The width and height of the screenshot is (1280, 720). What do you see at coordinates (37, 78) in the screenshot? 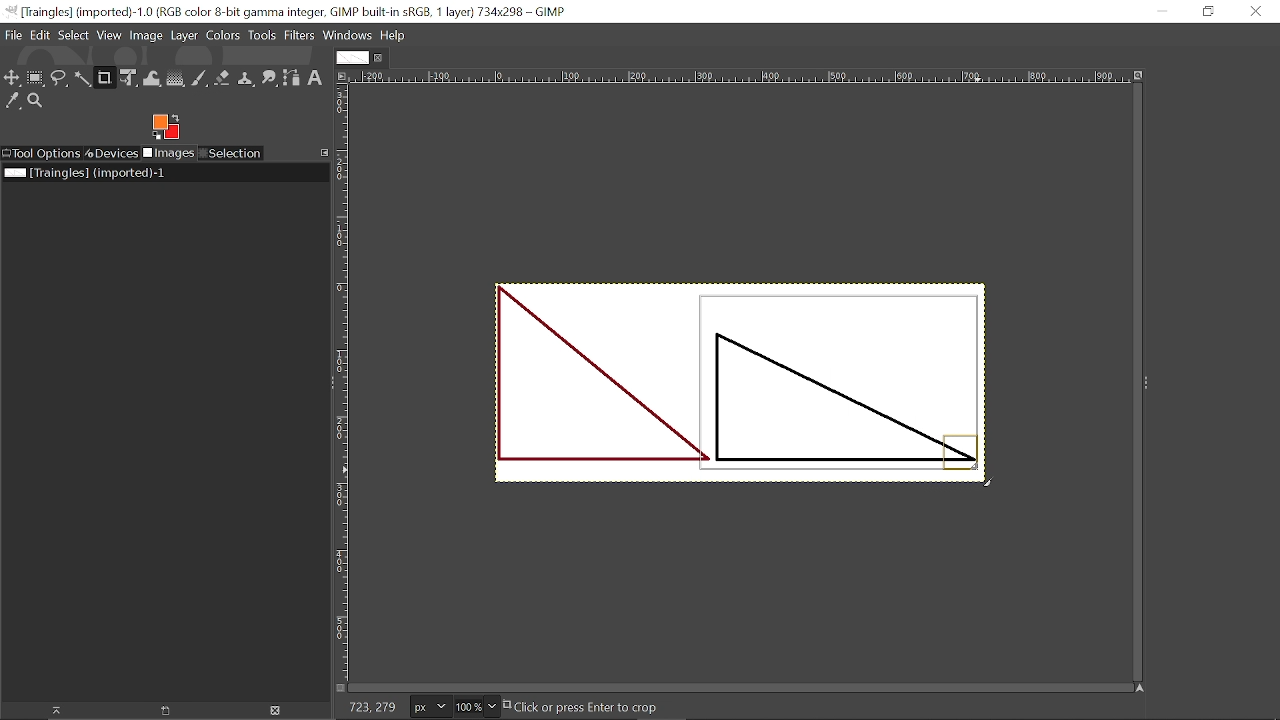
I see `rectangle select tool` at bounding box center [37, 78].